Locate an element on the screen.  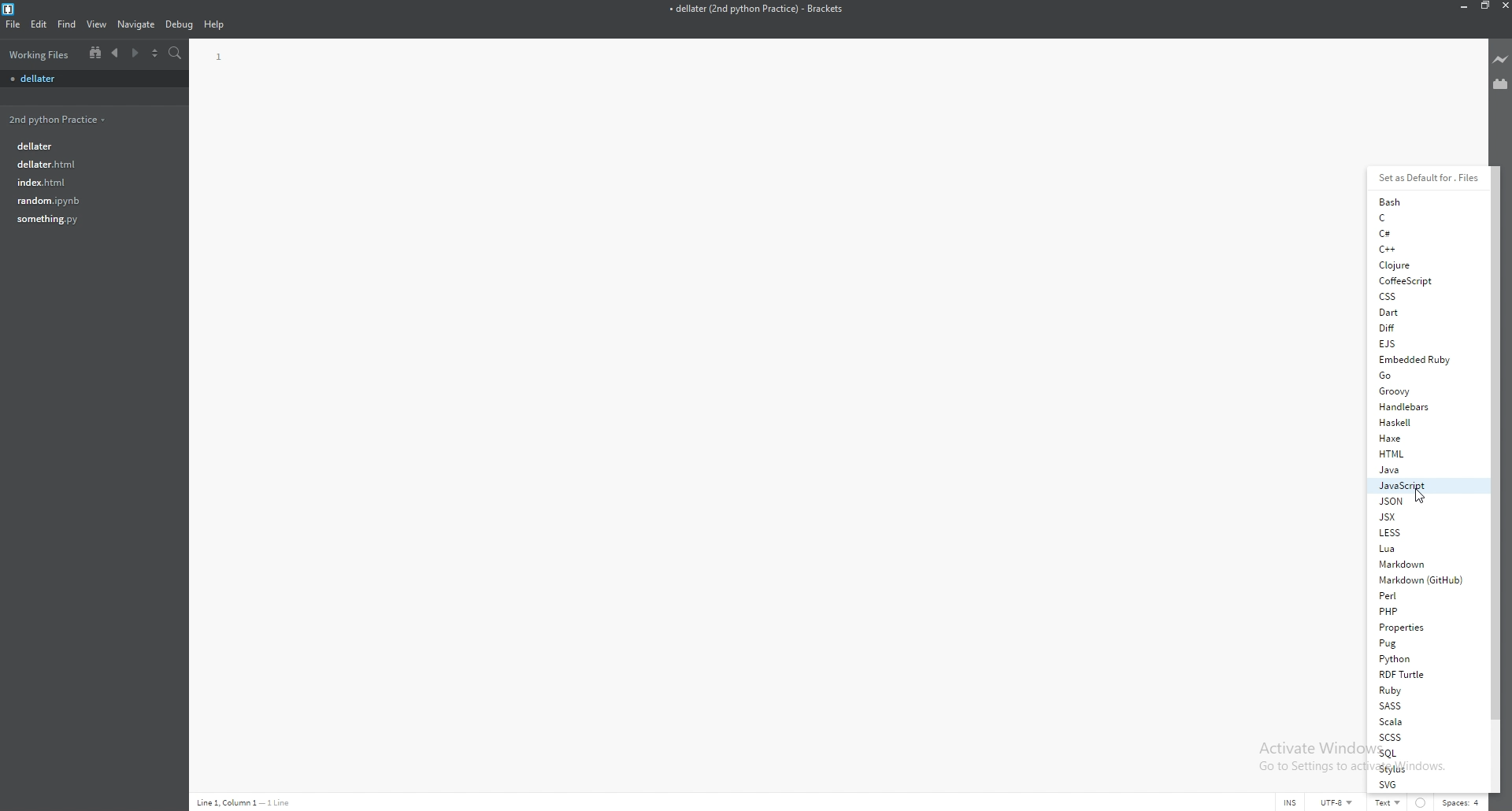
line number is located at coordinates (219, 57).